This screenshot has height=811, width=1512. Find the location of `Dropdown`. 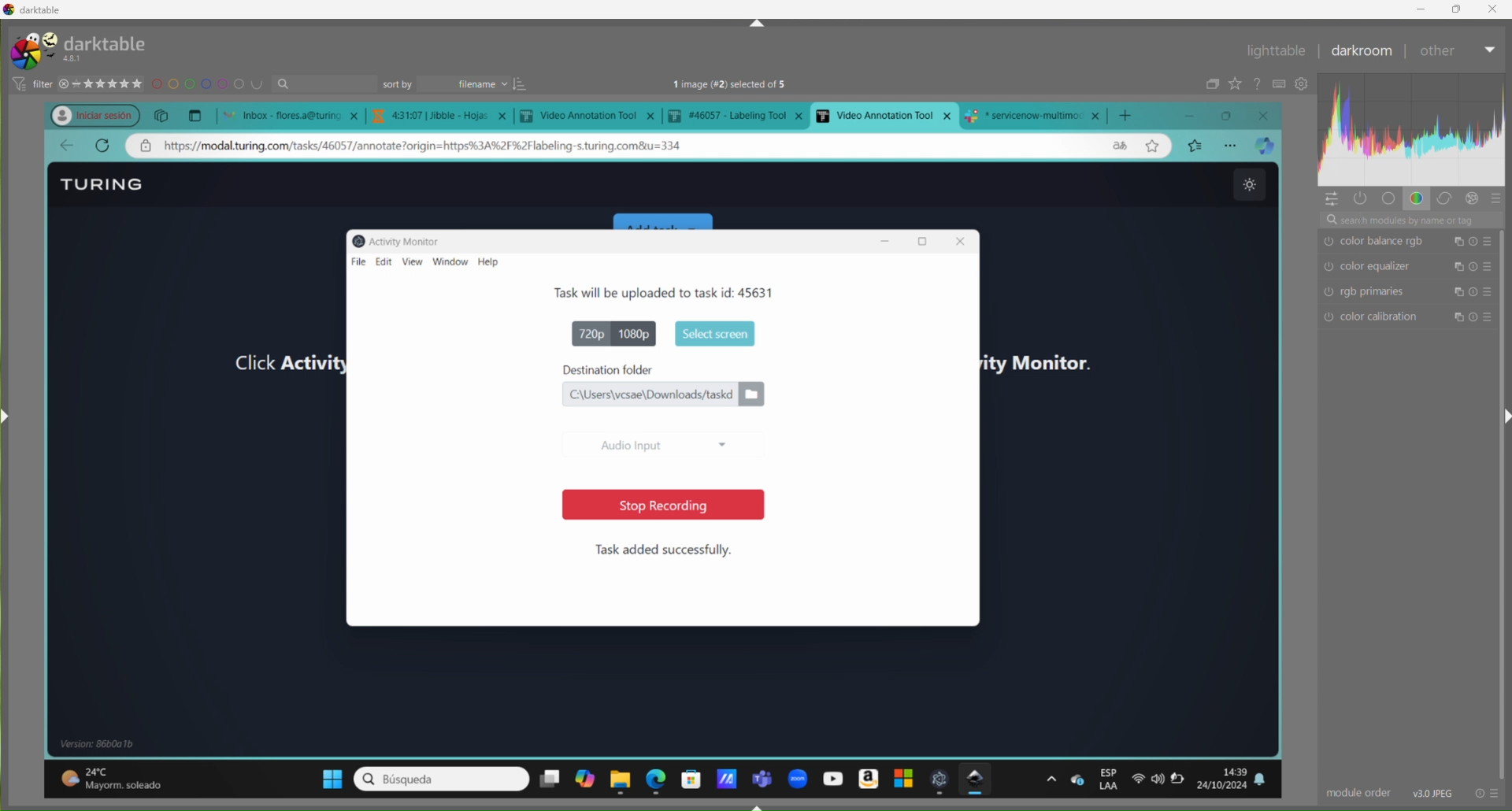

Dropdown is located at coordinates (1492, 50).